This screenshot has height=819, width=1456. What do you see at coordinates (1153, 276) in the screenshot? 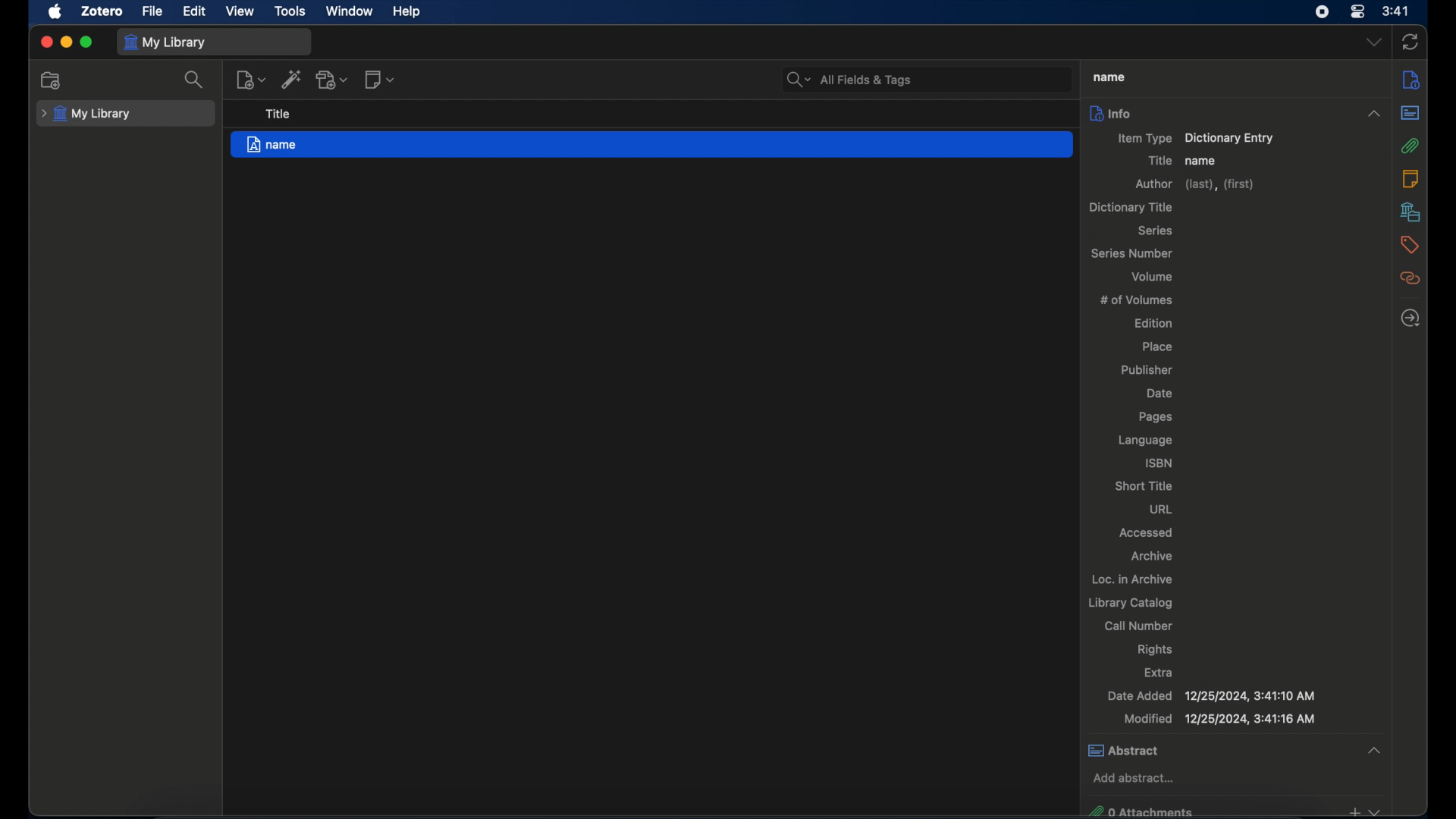
I see `volume` at bounding box center [1153, 276].